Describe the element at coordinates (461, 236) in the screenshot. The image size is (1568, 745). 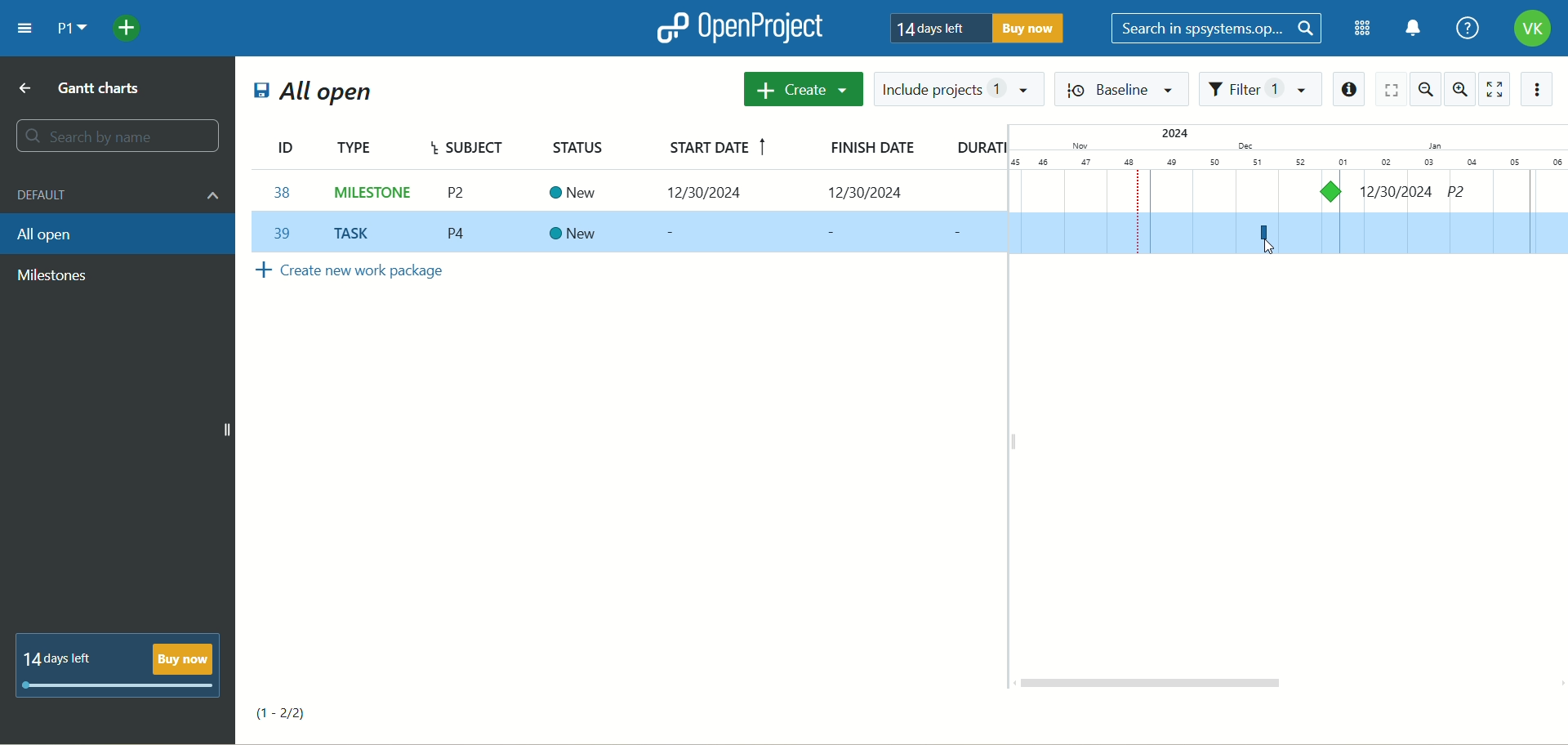
I see `P4` at that location.